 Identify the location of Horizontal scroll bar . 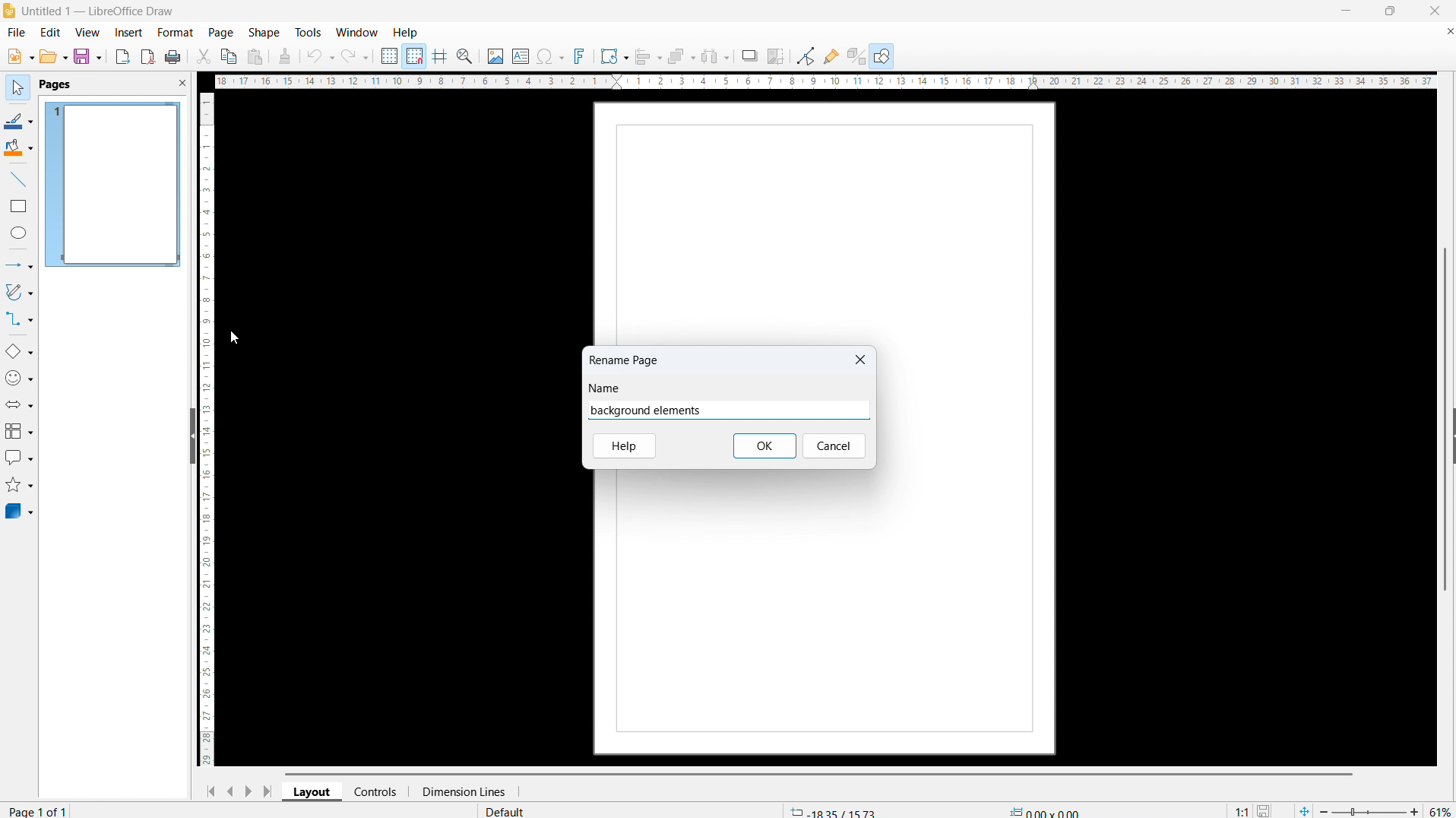
(818, 772).